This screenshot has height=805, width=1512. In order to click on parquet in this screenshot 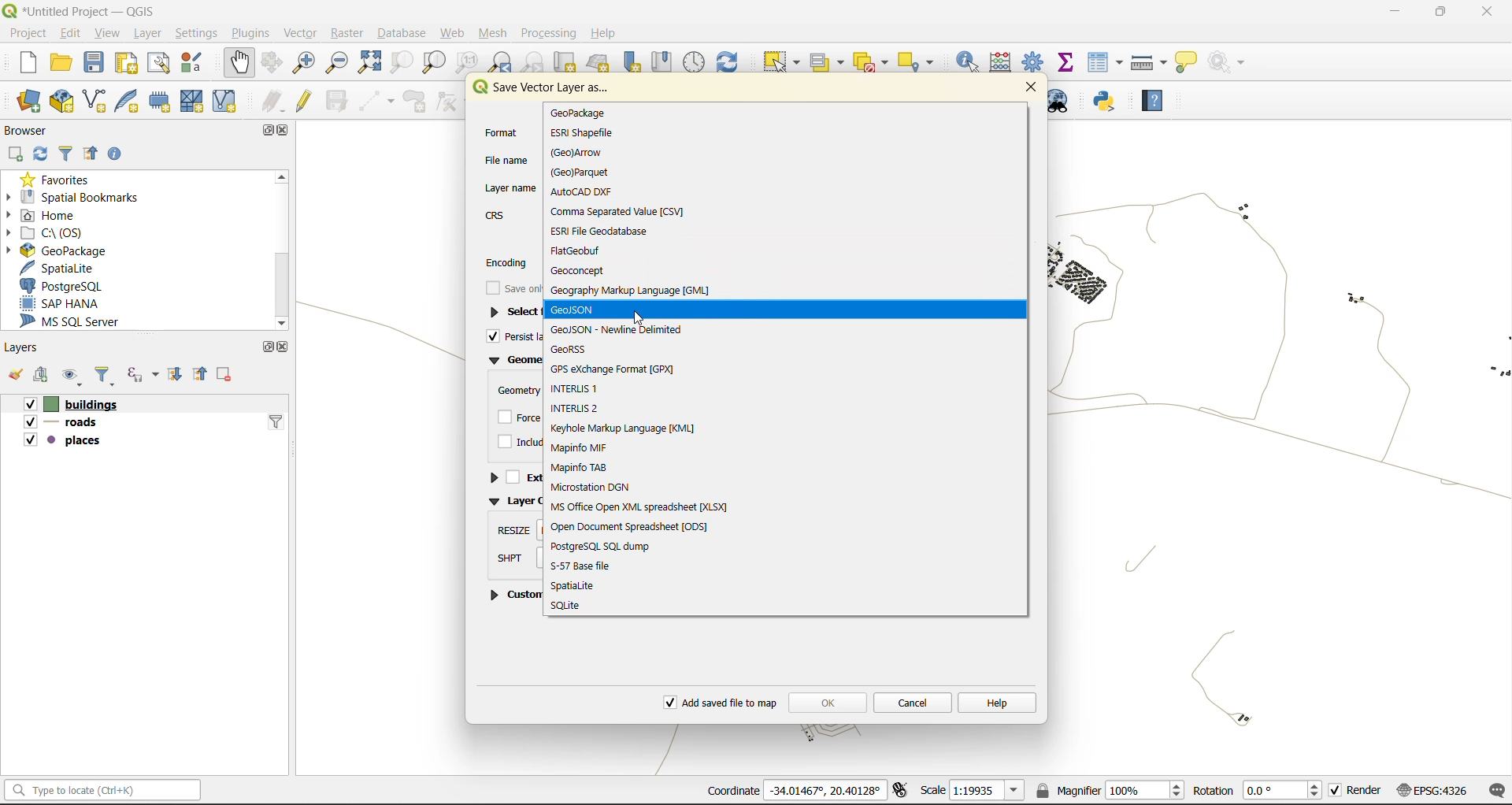, I will do `click(583, 173)`.